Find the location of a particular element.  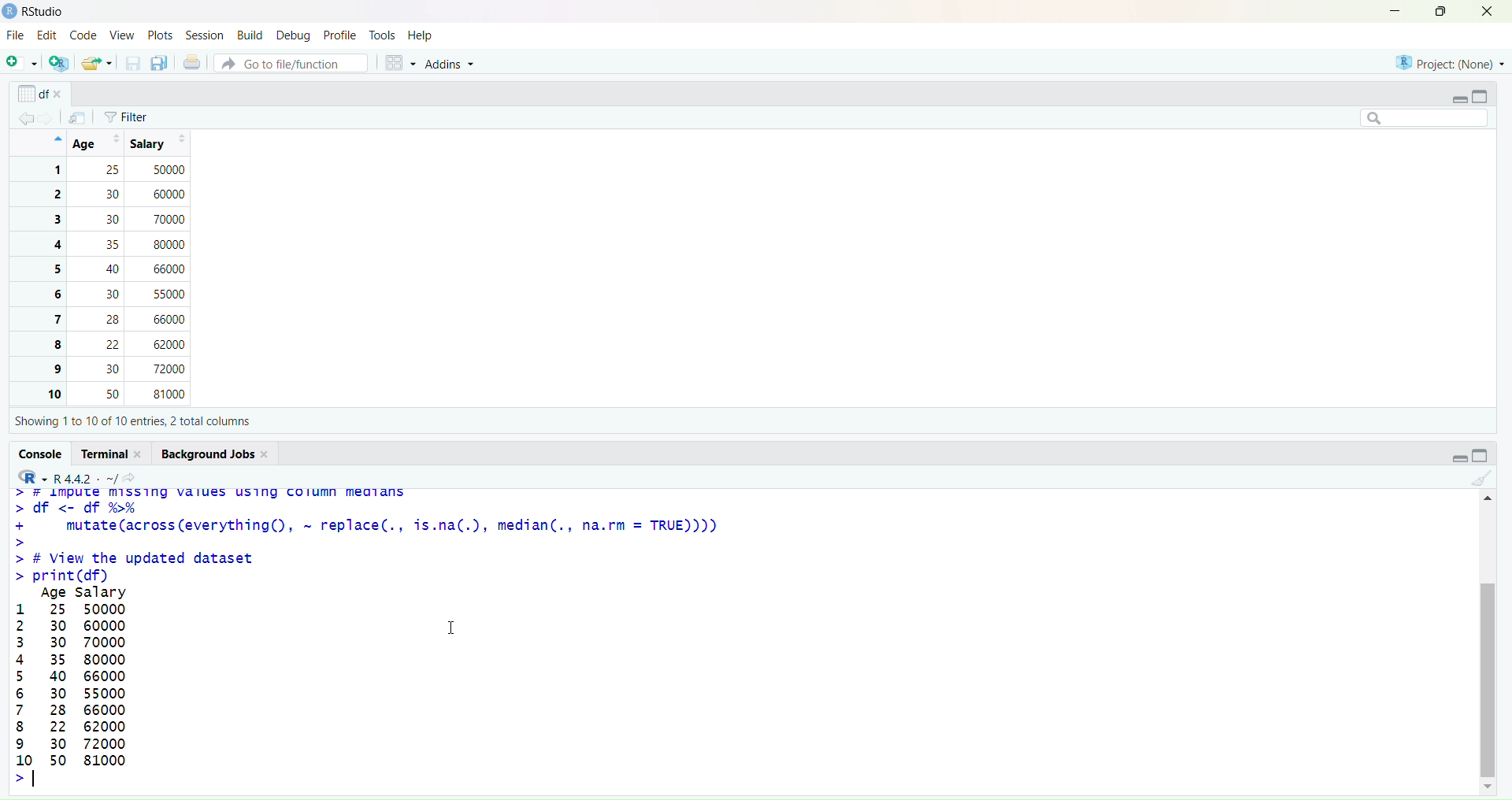

R 4.4.2 is located at coordinates (65, 476).